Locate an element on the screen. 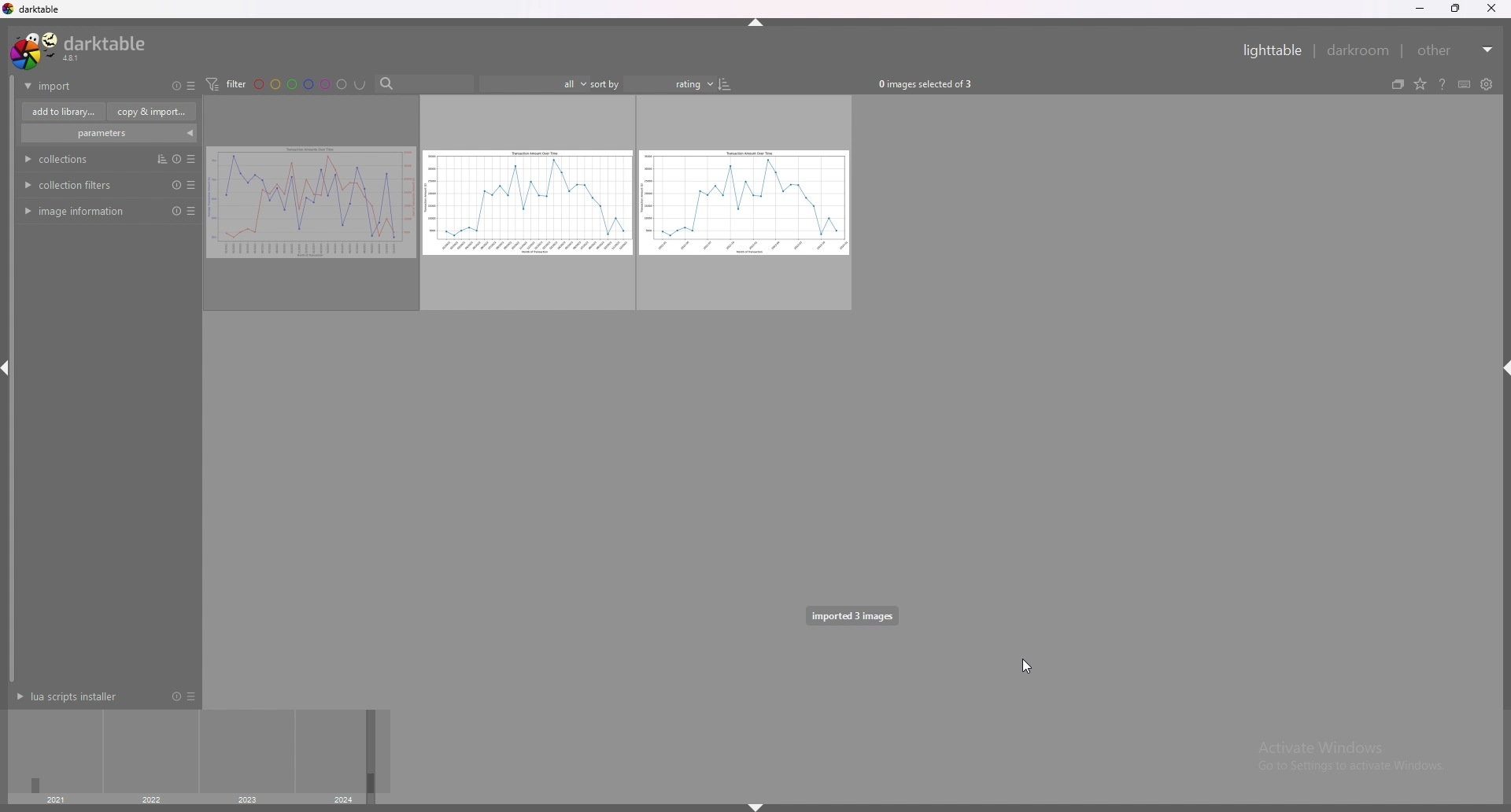 Image resolution: width=1511 pixels, height=812 pixels. shift+ctlr+l is located at coordinates (9, 371).